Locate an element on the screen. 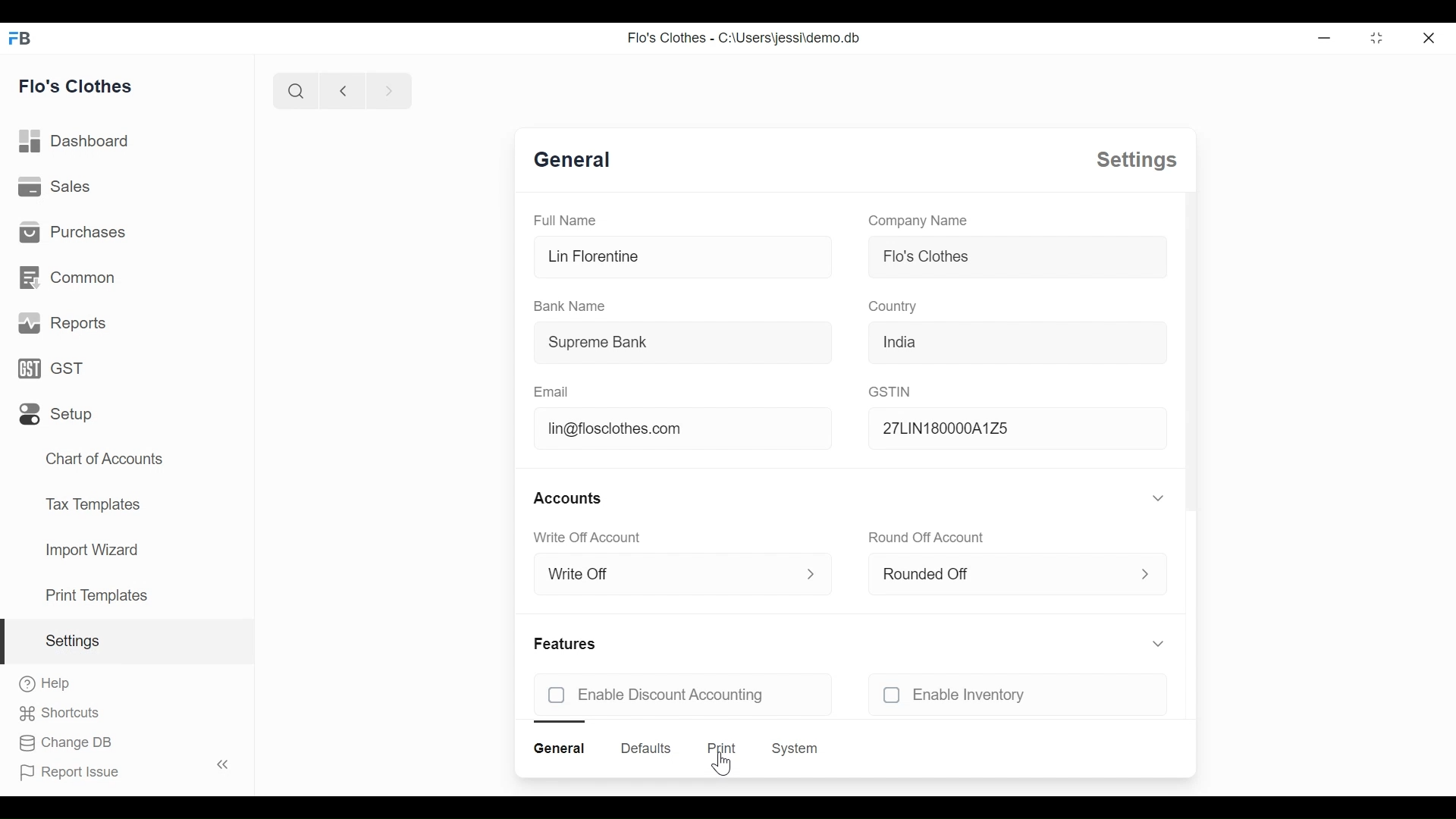 The image size is (1456, 819). write off account is located at coordinates (587, 538).